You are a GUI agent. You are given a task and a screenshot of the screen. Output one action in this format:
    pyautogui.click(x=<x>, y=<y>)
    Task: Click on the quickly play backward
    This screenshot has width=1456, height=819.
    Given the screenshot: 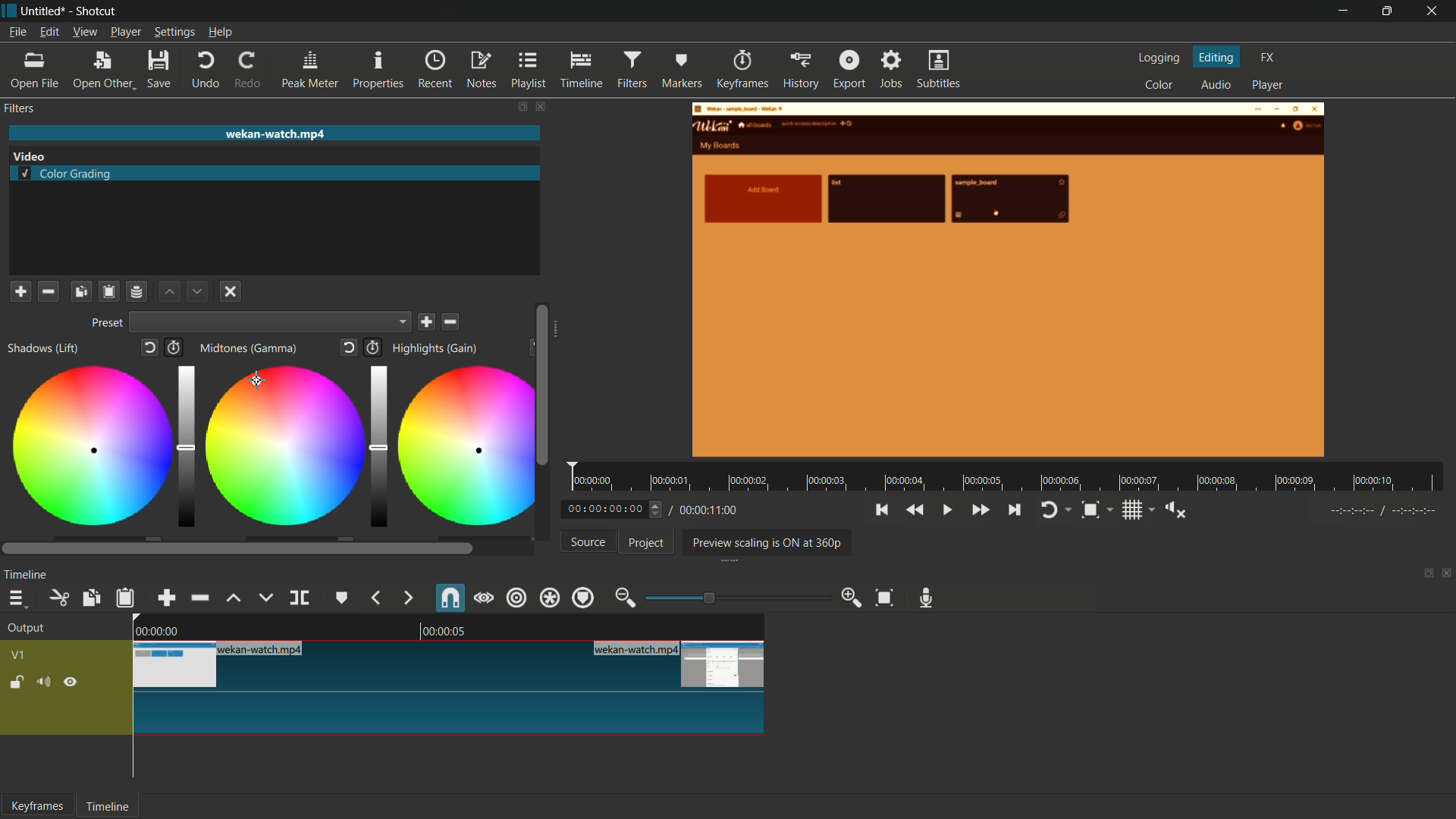 What is the action you would take?
    pyautogui.click(x=914, y=510)
    